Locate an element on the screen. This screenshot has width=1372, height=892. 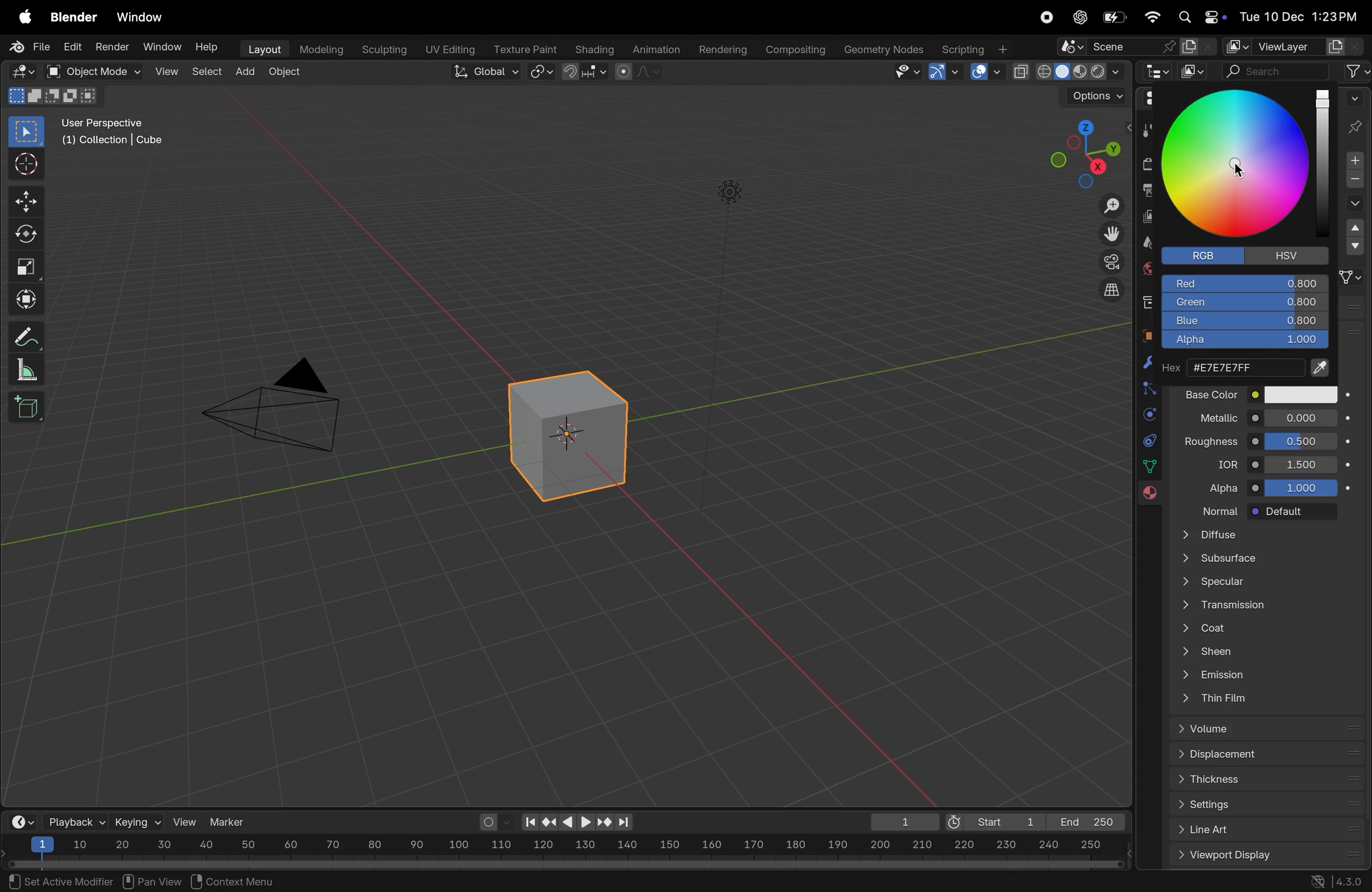
scene is located at coordinates (1144, 243).